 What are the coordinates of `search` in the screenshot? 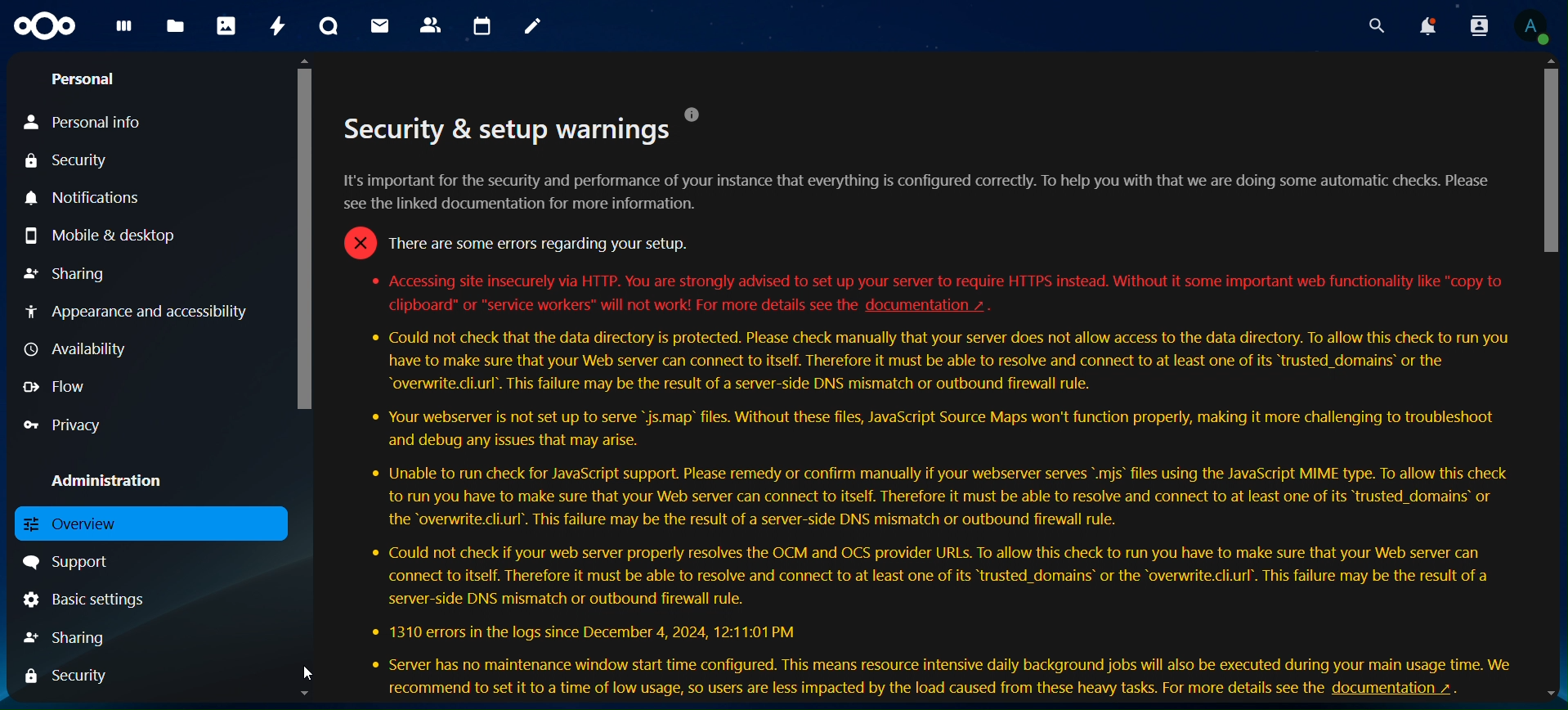 It's located at (1374, 26).